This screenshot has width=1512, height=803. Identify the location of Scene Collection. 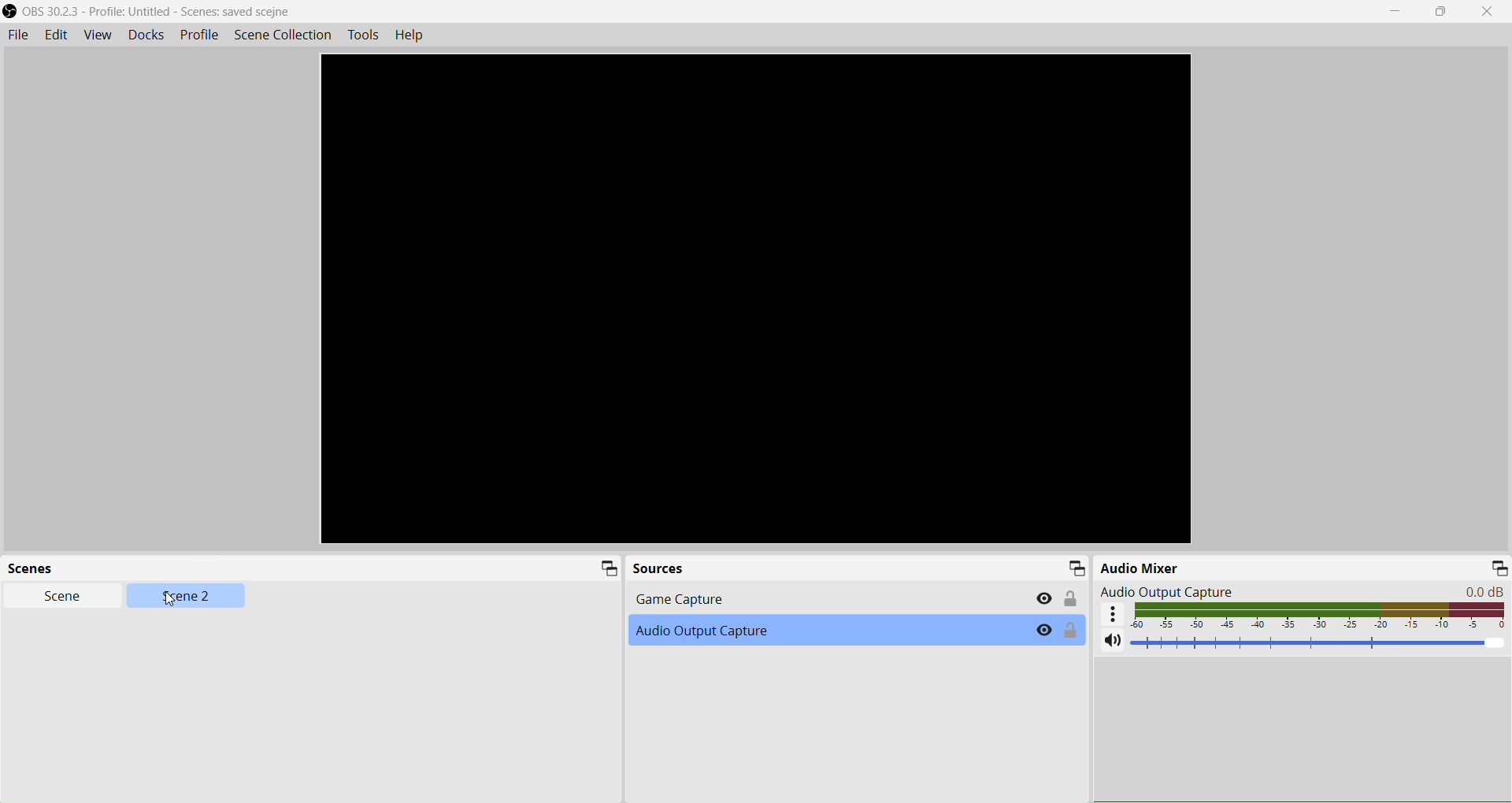
(283, 35).